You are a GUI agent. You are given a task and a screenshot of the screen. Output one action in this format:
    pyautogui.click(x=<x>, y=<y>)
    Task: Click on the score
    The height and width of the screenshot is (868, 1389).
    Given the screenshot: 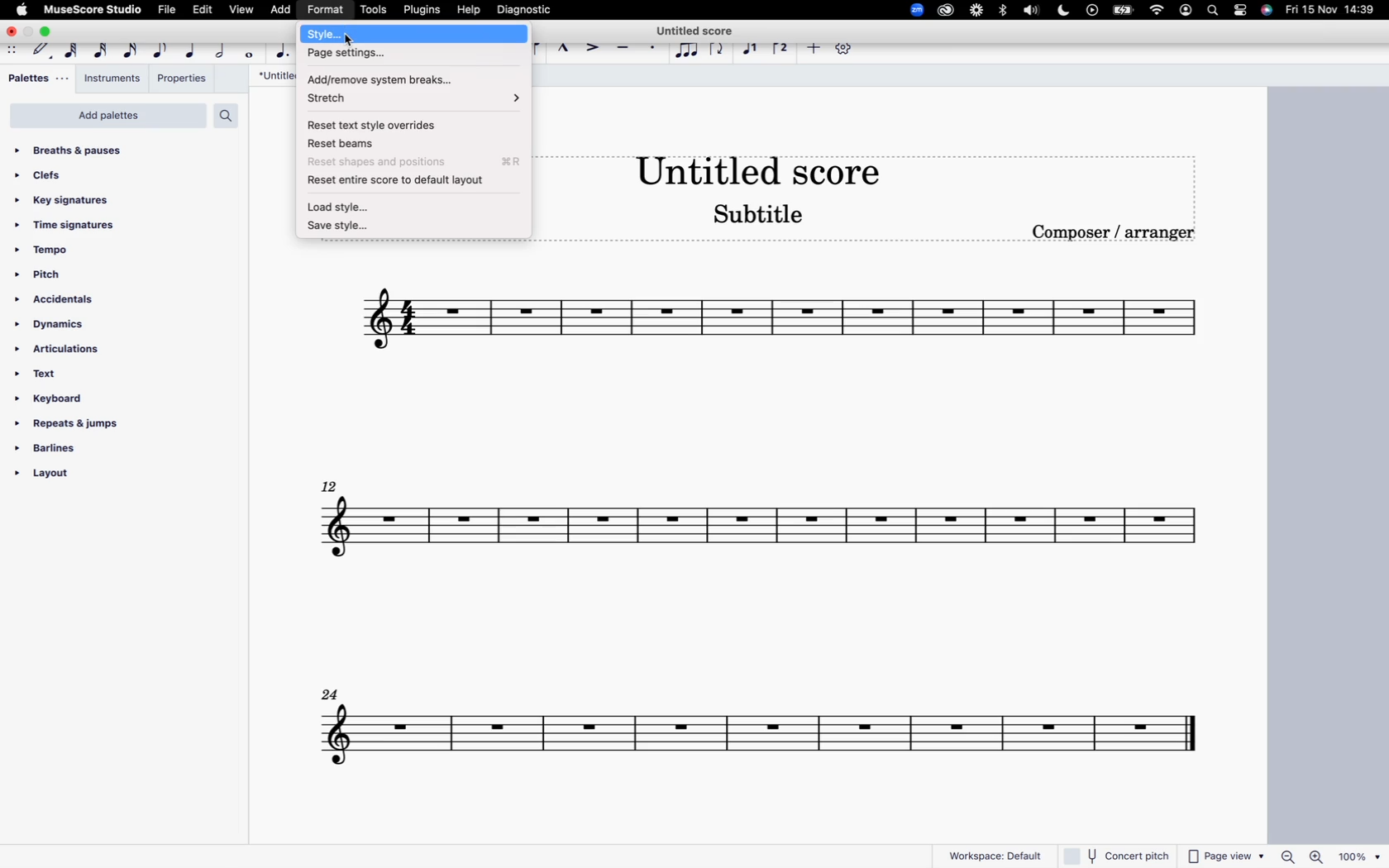 What is the action you would take?
    pyautogui.click(x=785, y=319)
    